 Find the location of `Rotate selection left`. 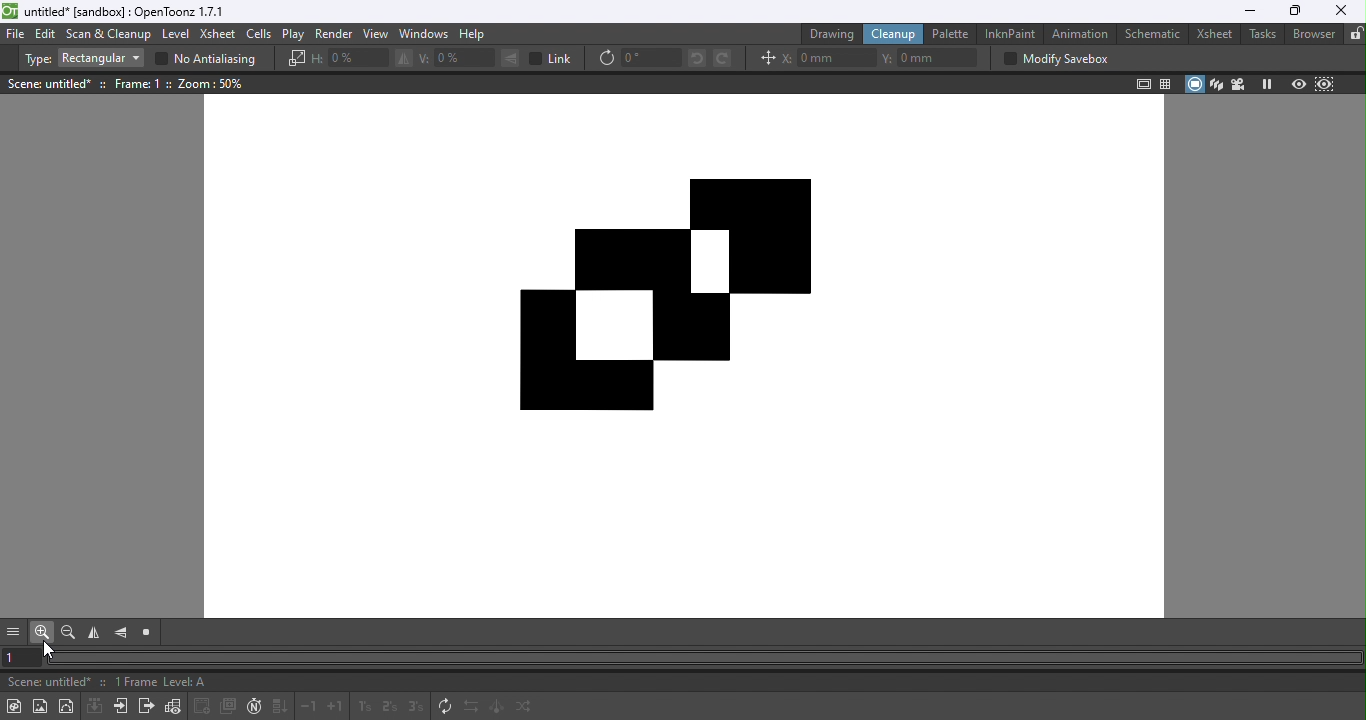

Rotate selection left is located at coordinates (696, 60).